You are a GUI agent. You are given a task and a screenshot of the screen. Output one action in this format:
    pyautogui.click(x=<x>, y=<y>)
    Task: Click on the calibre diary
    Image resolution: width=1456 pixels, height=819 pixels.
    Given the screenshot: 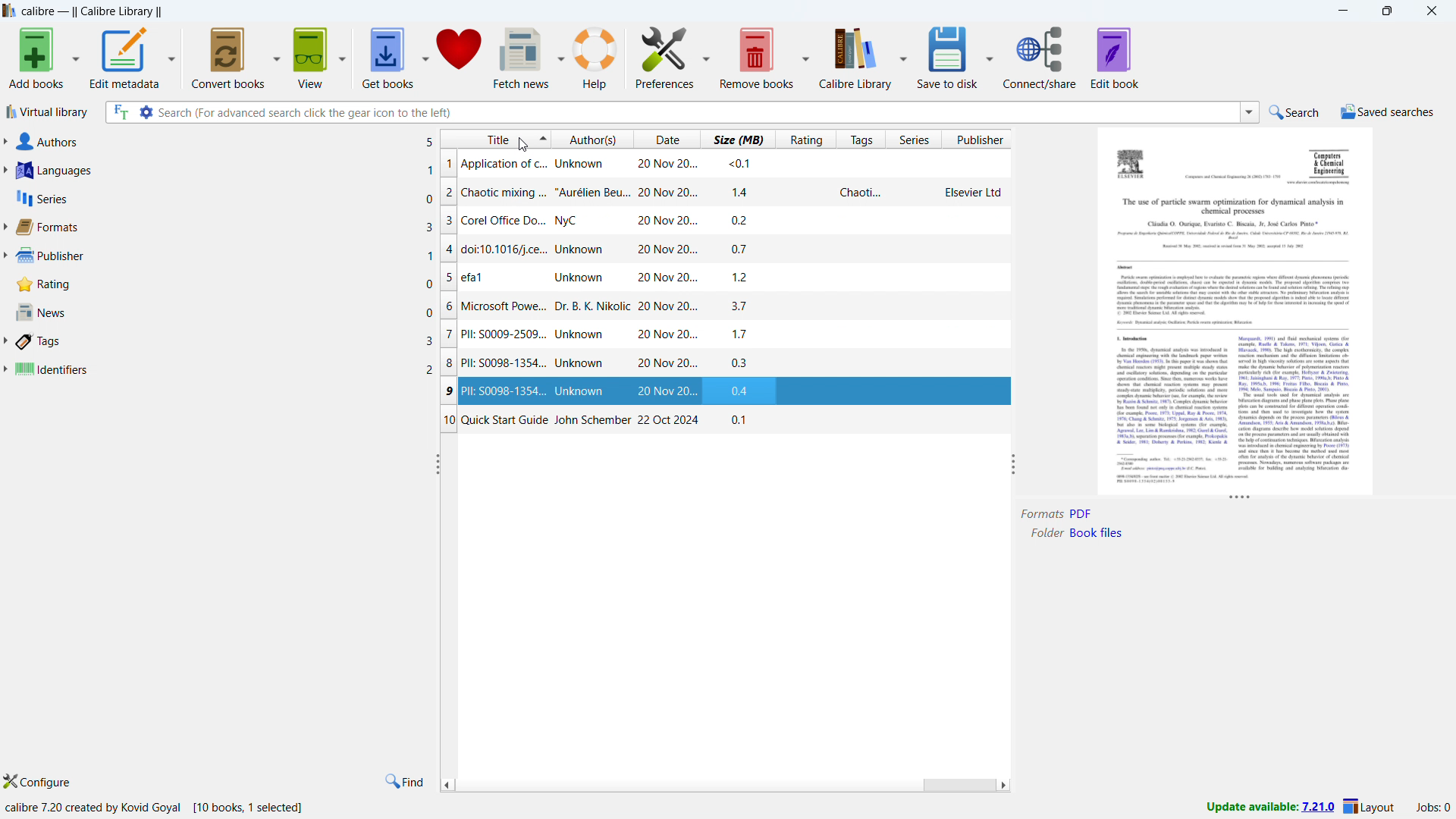 What is the action you would take?
    pyautogui.click(x=855, y=56)
    